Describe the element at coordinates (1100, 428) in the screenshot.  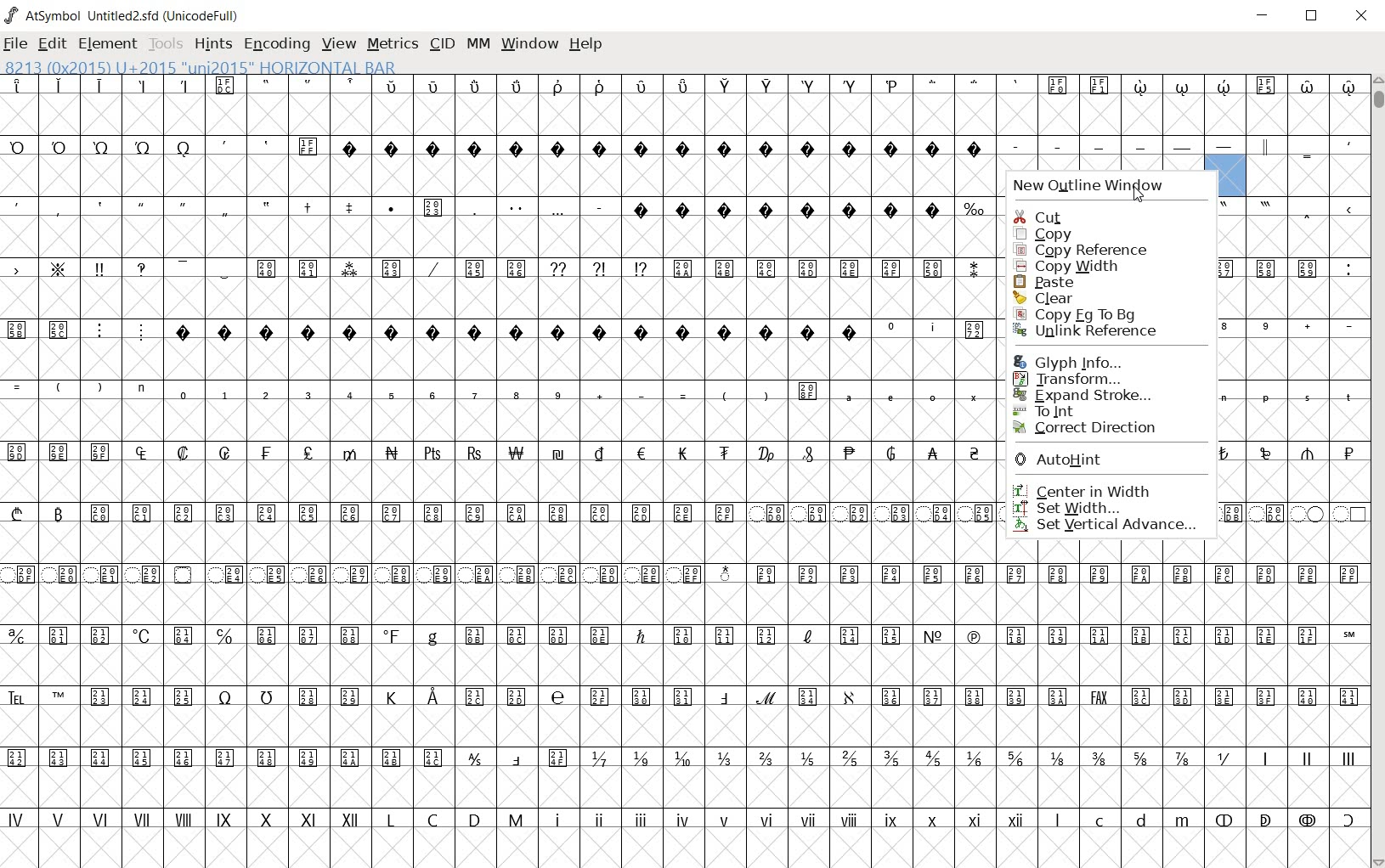
I see `correct direction` at that location.